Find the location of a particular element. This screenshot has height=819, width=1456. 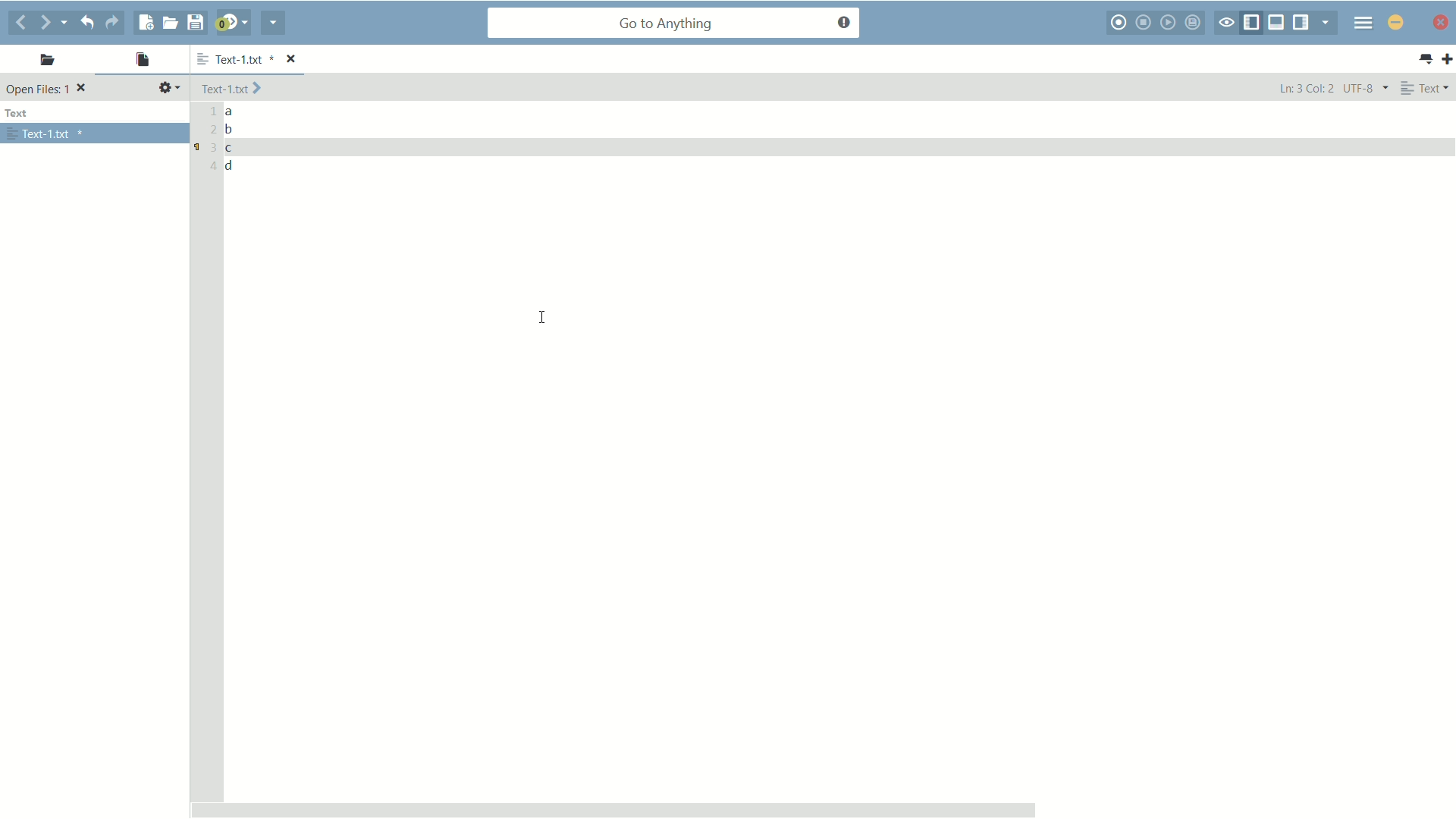

1 2 3 4 is located at coordinates (212, 142).